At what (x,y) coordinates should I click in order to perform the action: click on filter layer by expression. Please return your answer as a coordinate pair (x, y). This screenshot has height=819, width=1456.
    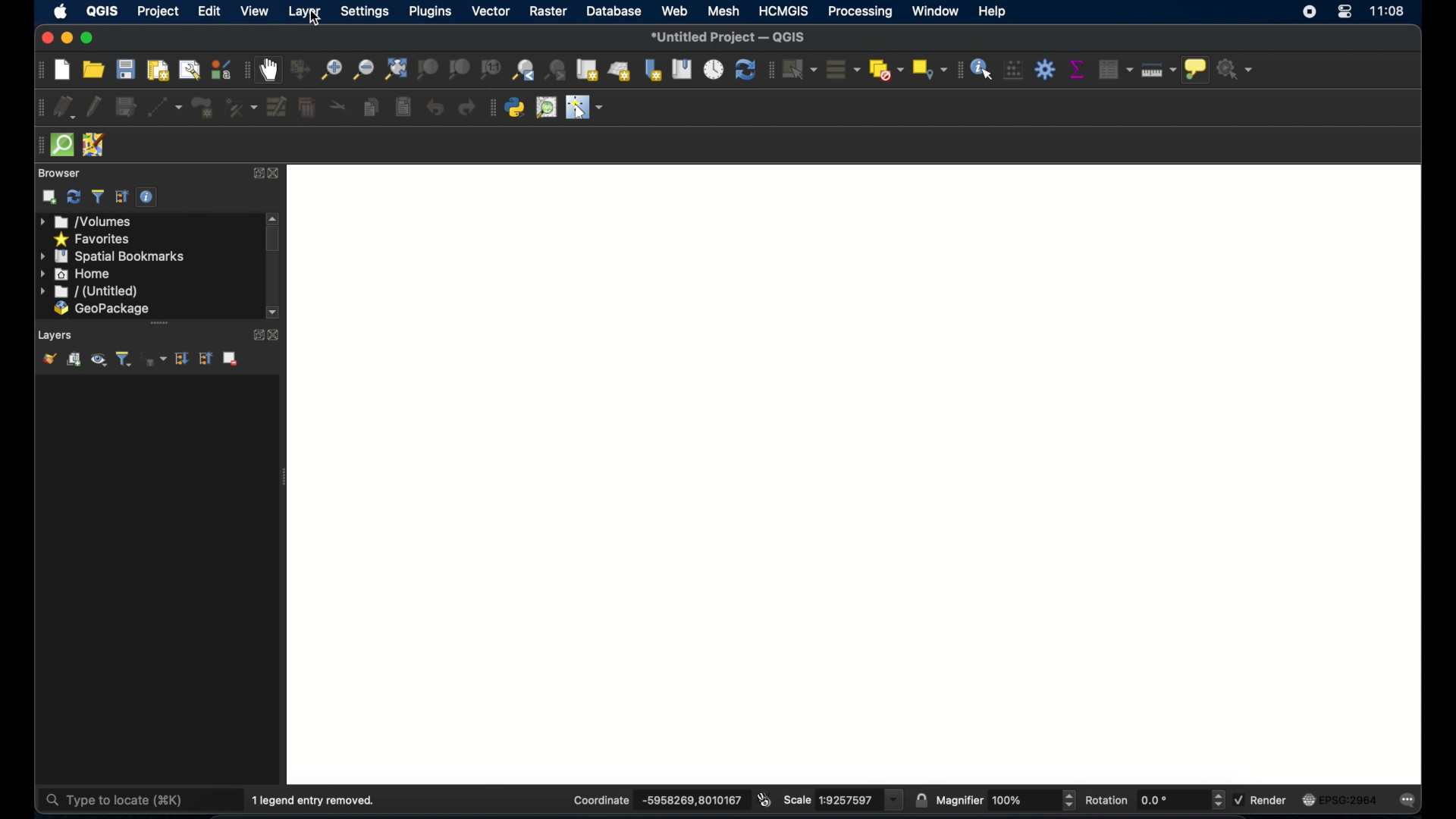
    Looking at the image, I should click on (154, 359).